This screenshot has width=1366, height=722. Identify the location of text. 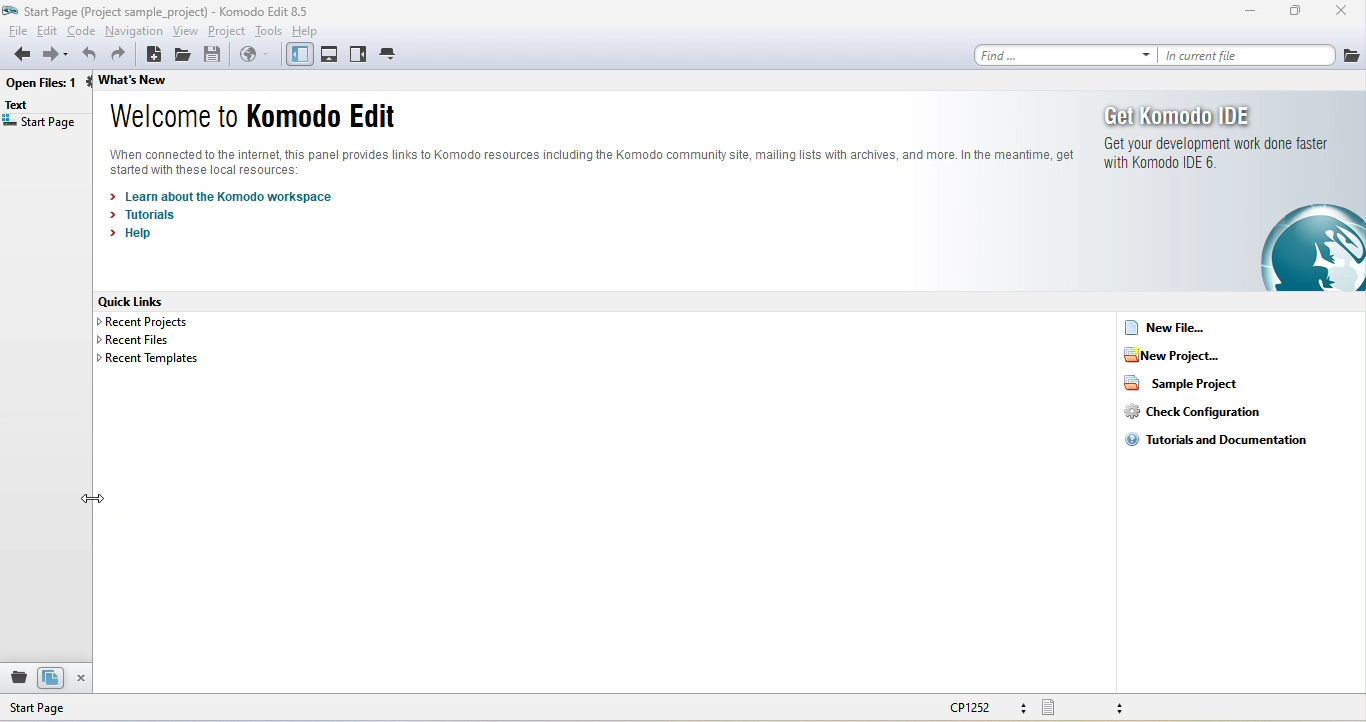
(23, 106).